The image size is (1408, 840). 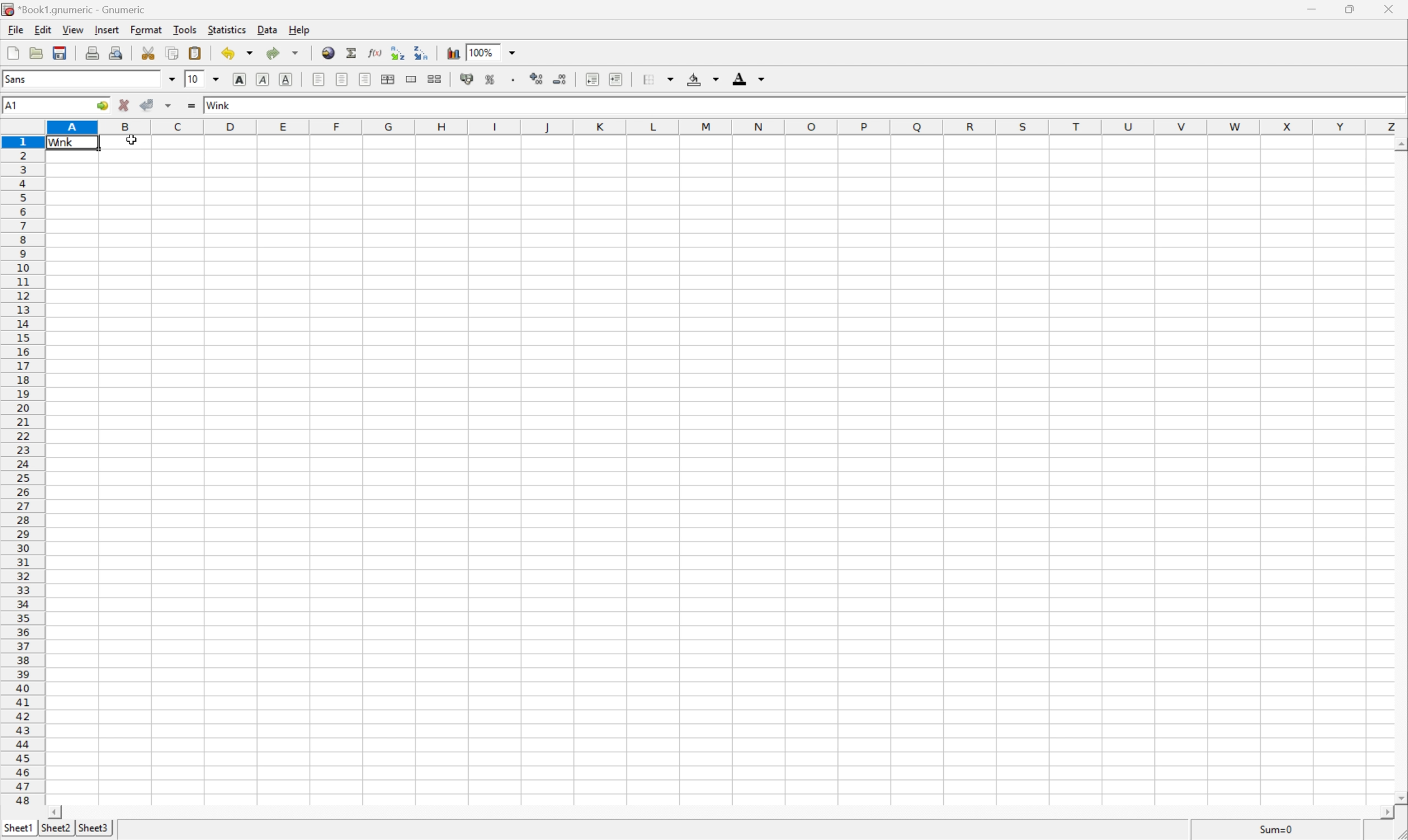 What do you see at coordinates (263, 78) in the screenshot?
I see `italic` at bounding box center [263, 78].